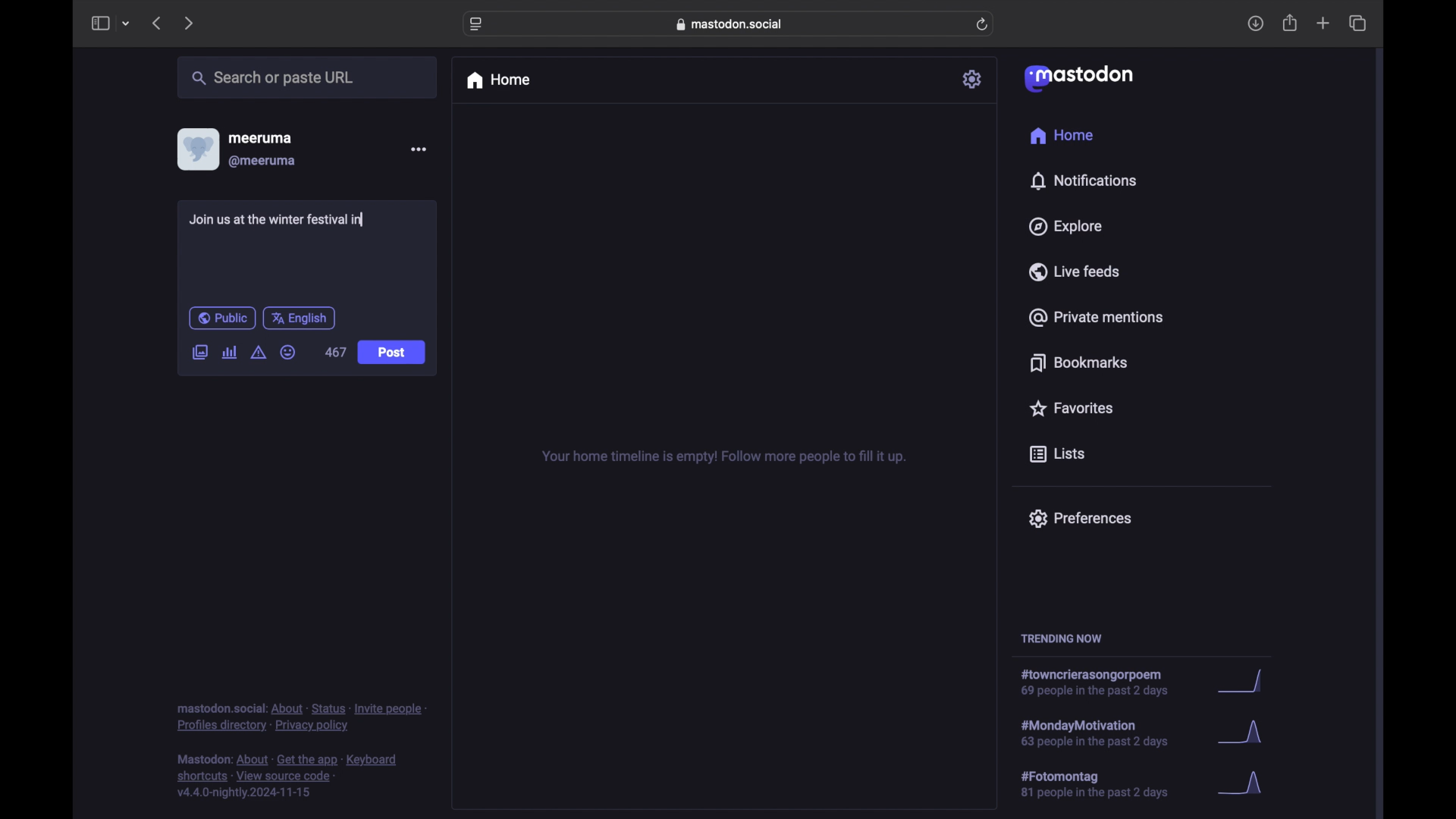 This screenshot has height=819, width=1456. I want to click on public, so click(221, 318).